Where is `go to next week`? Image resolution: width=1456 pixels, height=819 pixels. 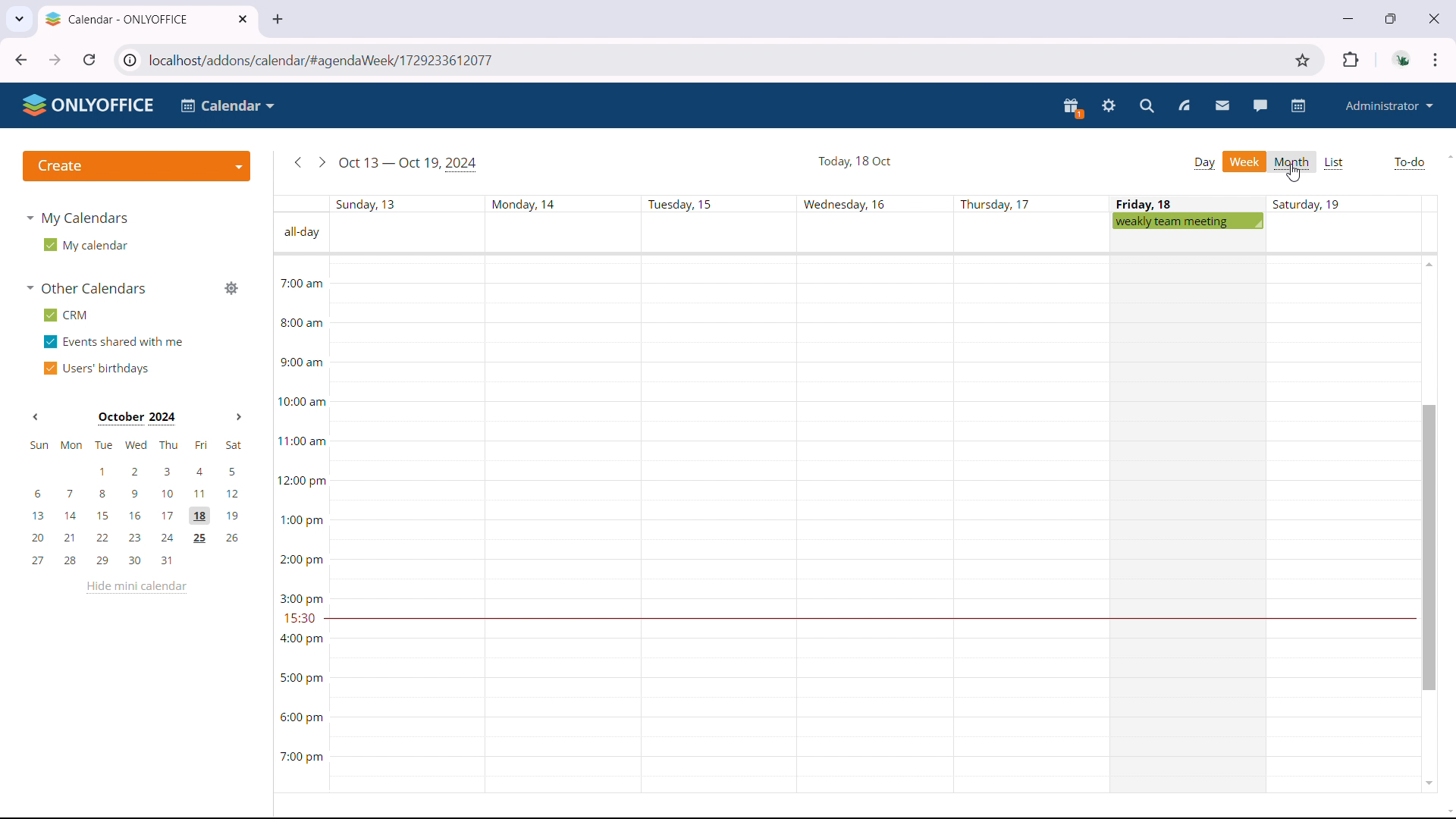
go to next week is located at coordinates (321, 162).